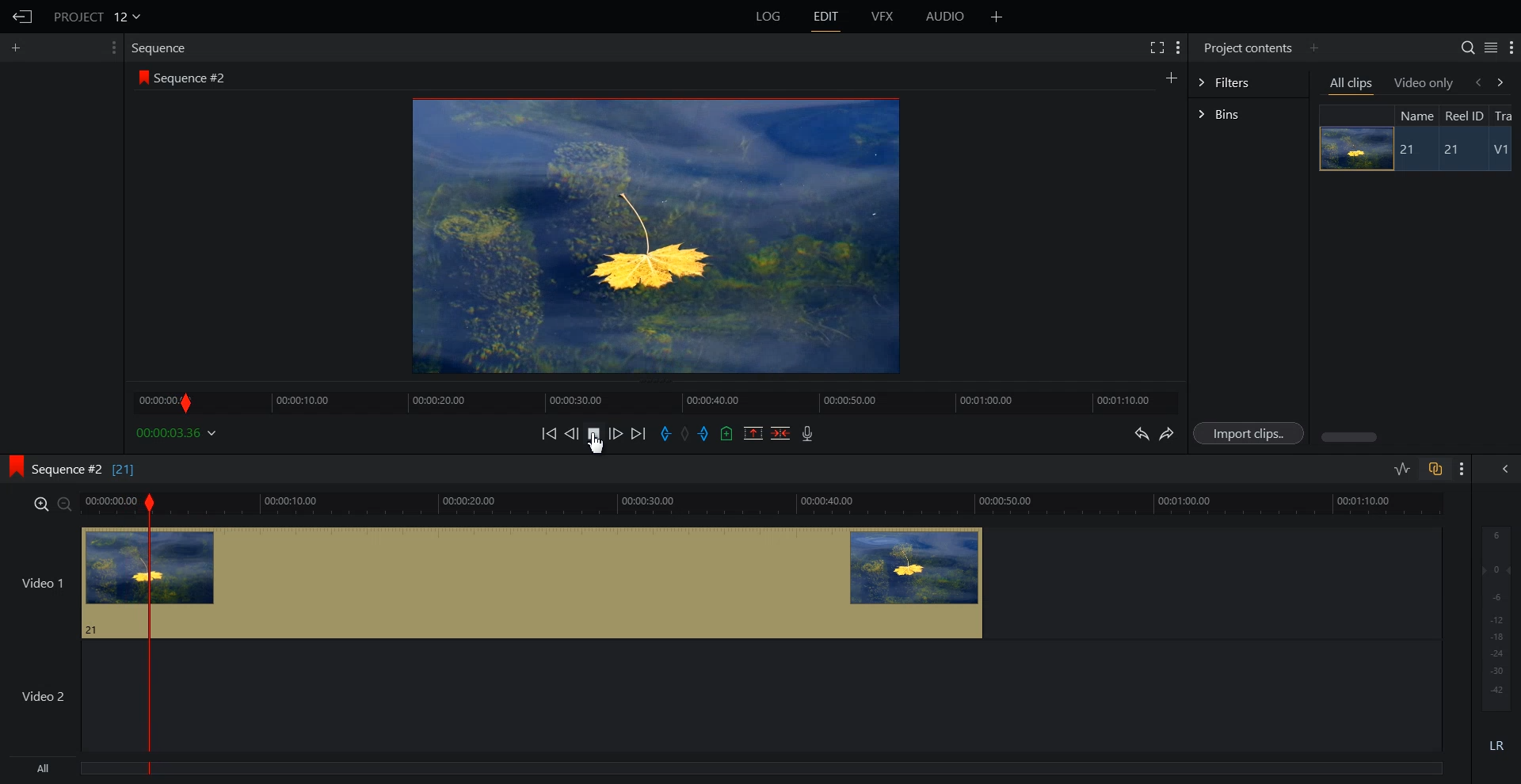 This screenshot has height=784, width=1521. Describe the element at coordinates (827, 17) in the screenshot. I see `EDIT` at that location.